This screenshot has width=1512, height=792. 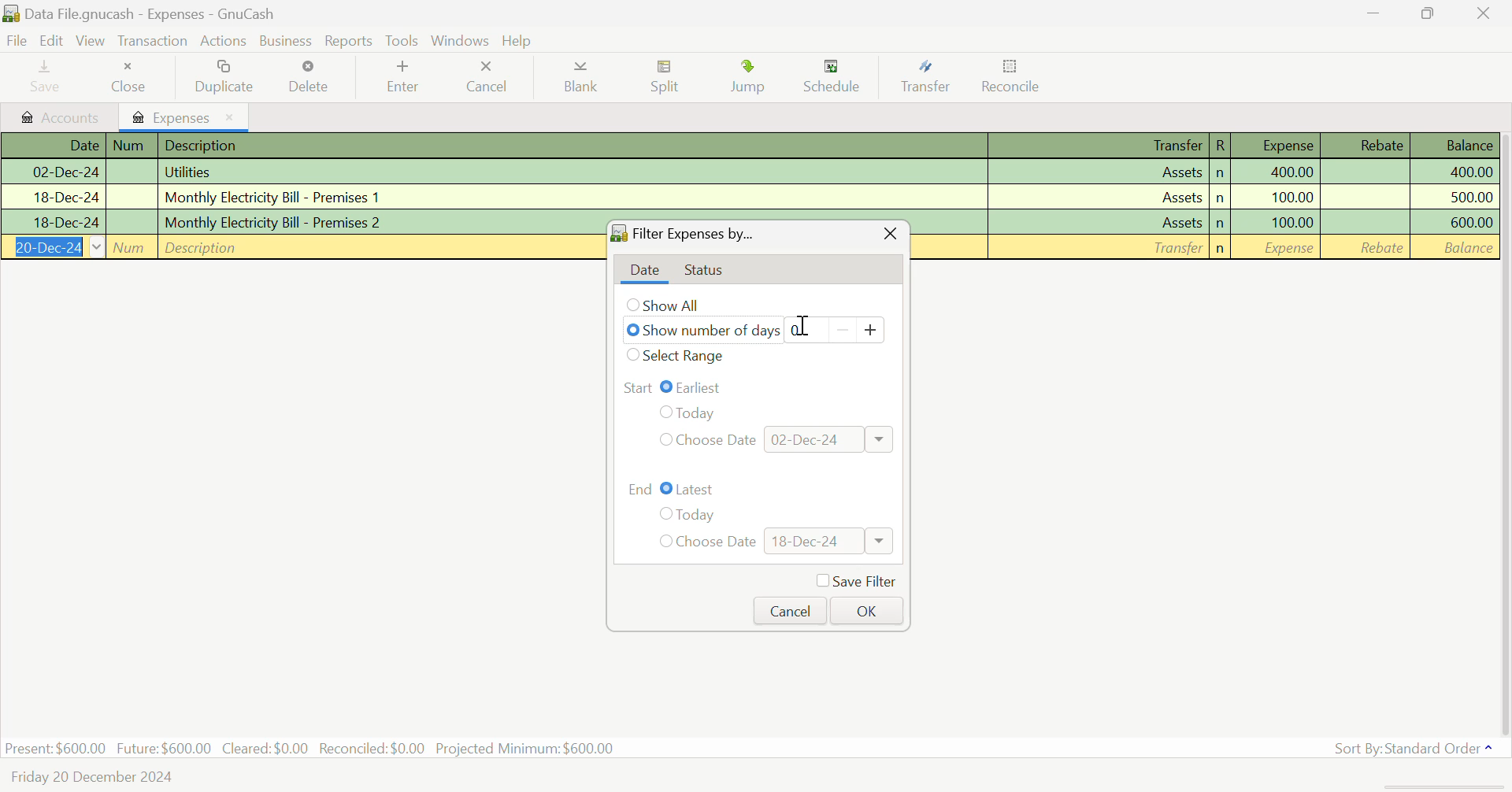 I want to click on Reconcile, so click(x=1014, y=80).